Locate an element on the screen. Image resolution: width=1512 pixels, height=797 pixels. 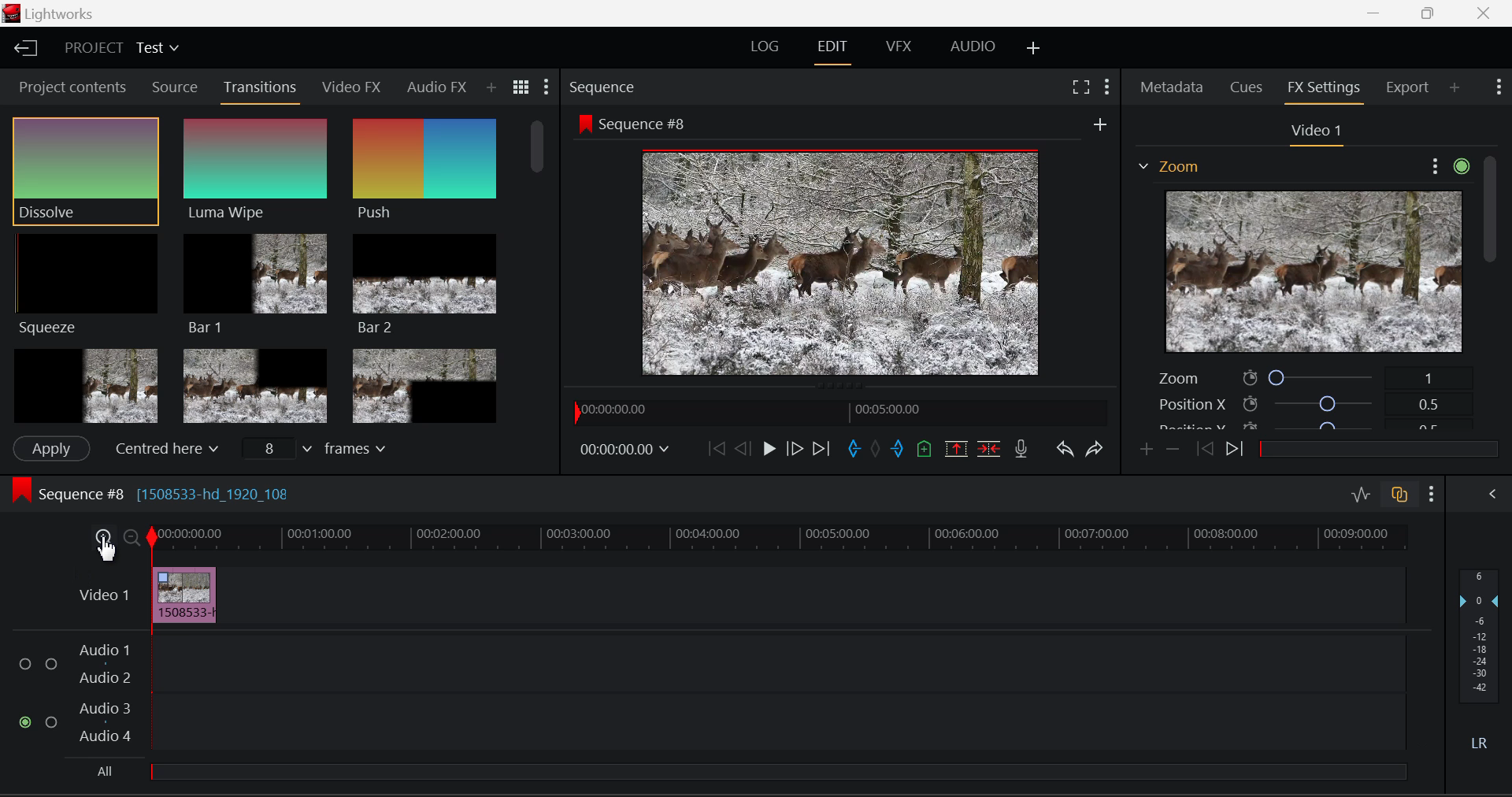
Audio 4 is located at coordinates (104, 736).